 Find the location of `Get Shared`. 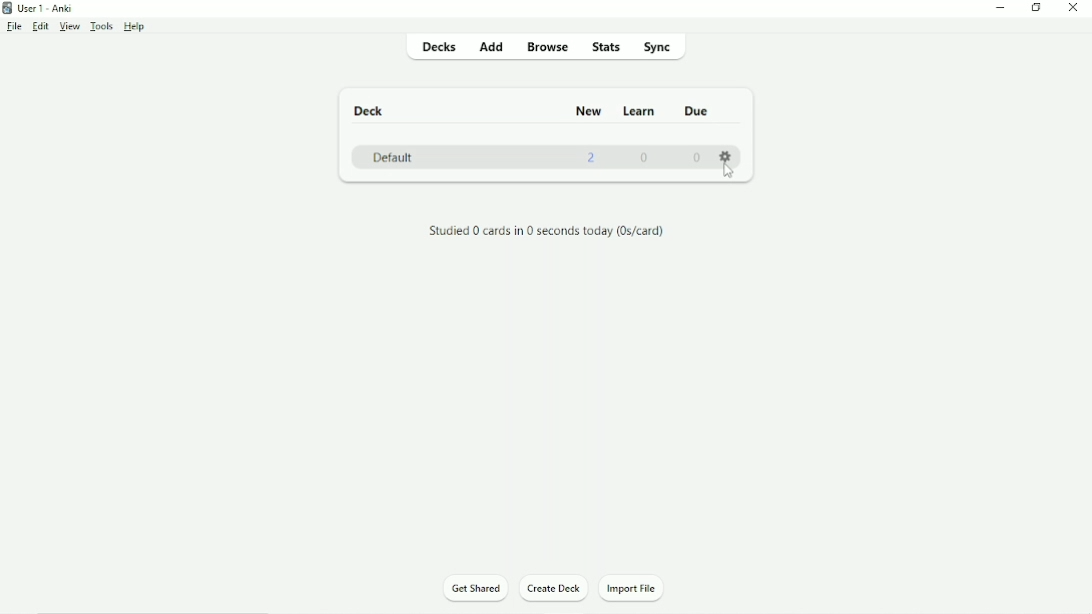

Get Shared is located at coordinates (476, 588).